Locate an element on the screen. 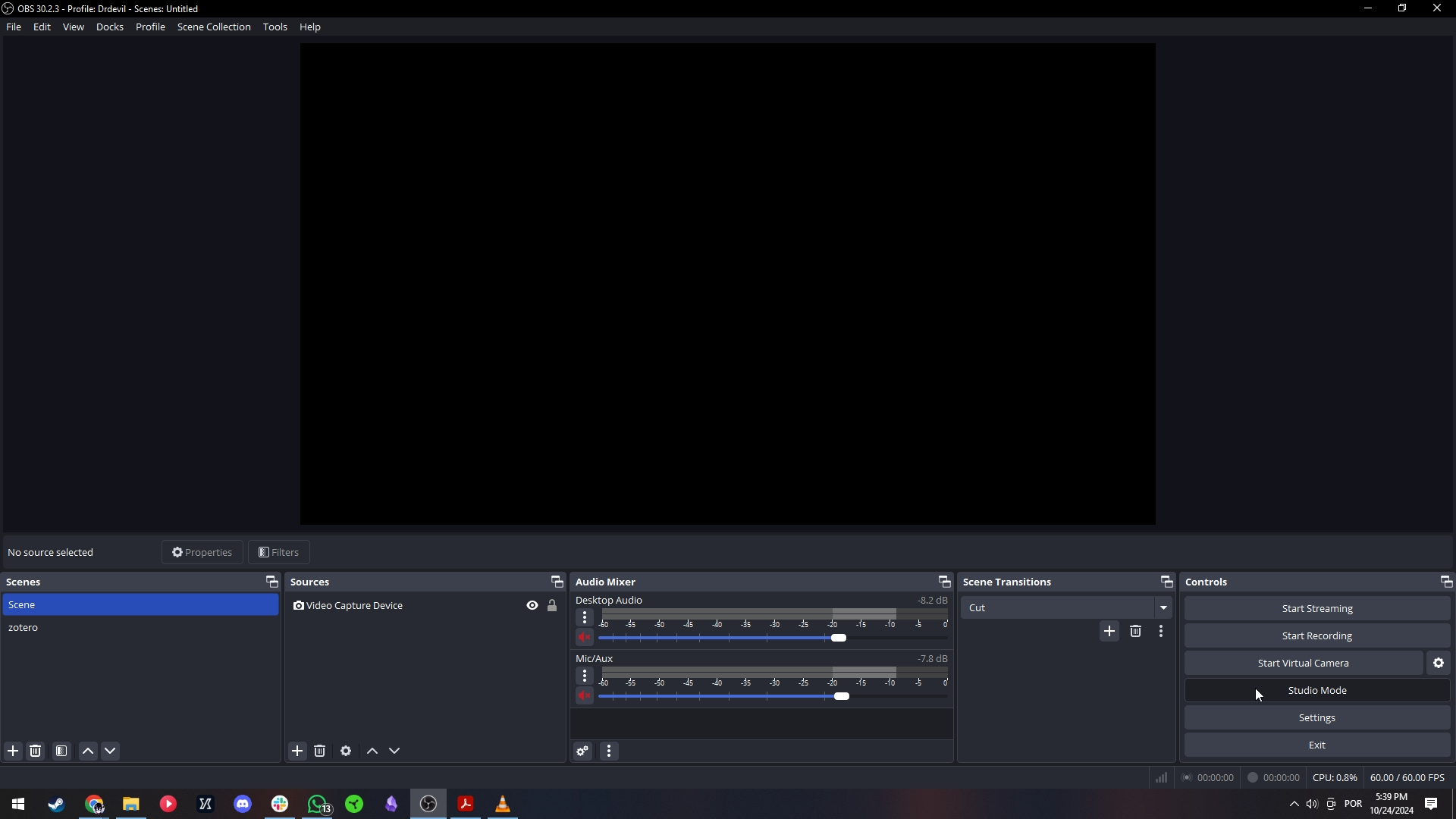  Add scene transition is located at coordinates (1109, 631).